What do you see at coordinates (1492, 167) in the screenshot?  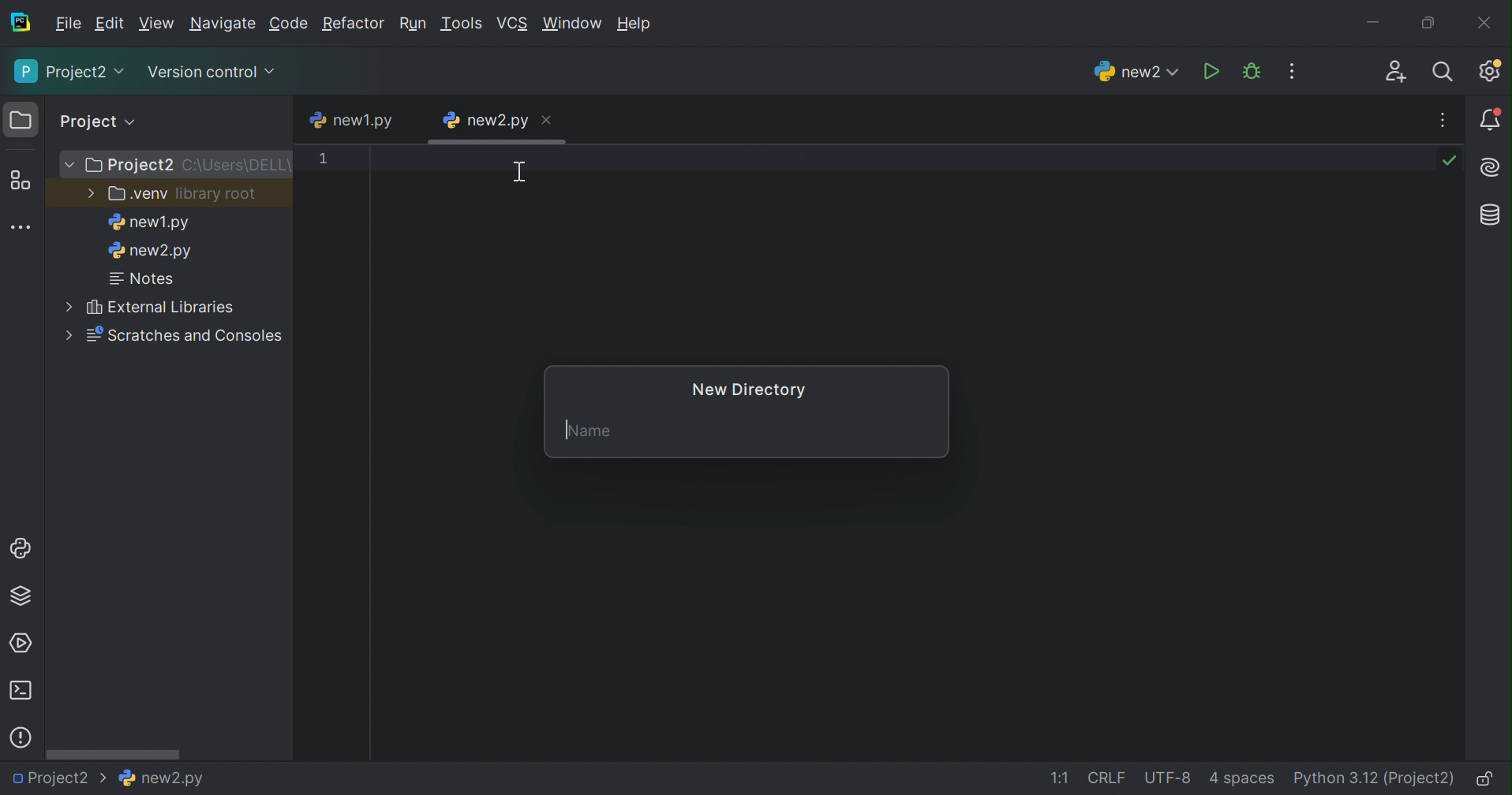 I see `AI Assistant` at bounding box center [1492, 167].